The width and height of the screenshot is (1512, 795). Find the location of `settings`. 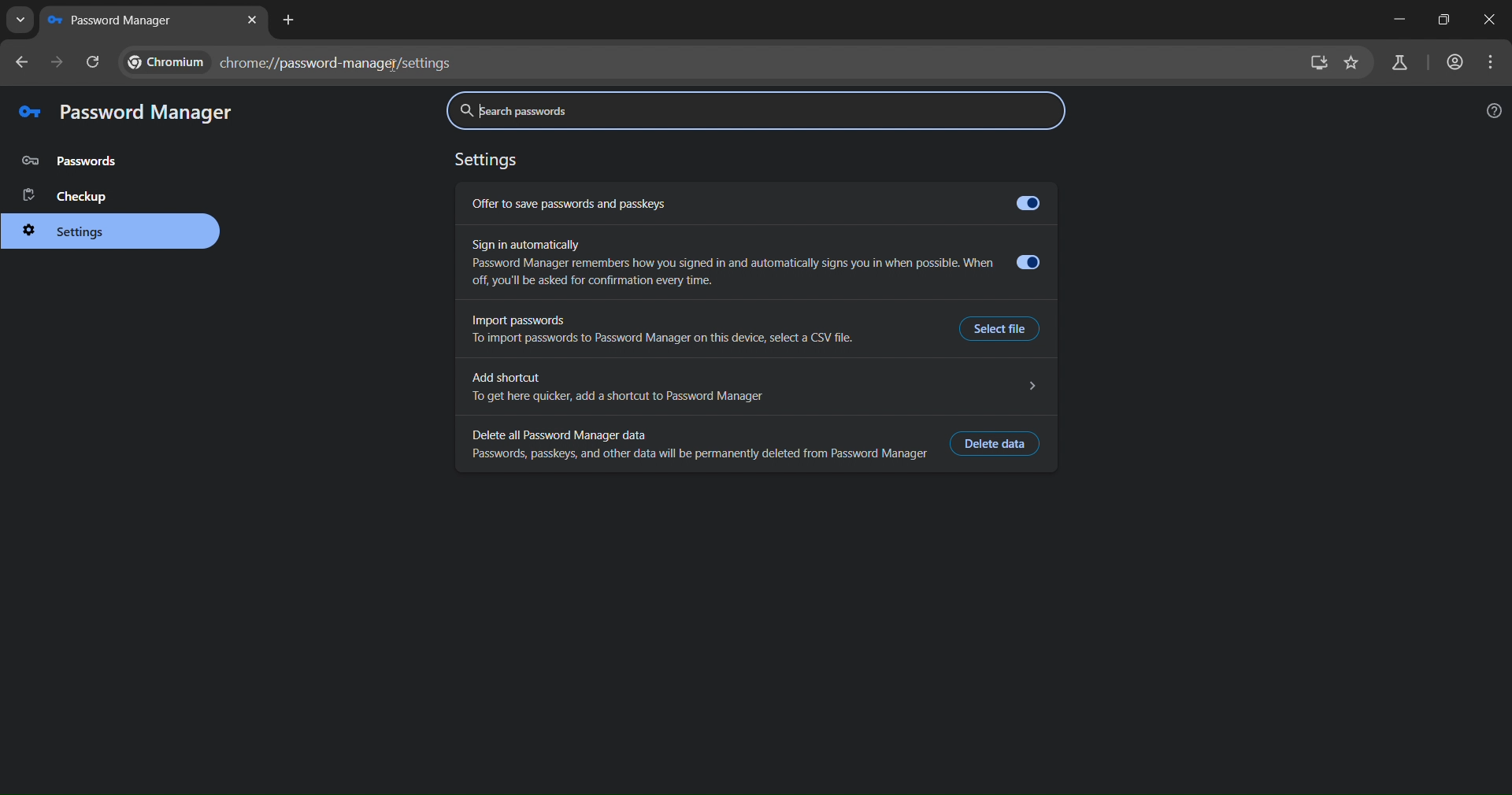

settings is located at coordinates (498, 158).